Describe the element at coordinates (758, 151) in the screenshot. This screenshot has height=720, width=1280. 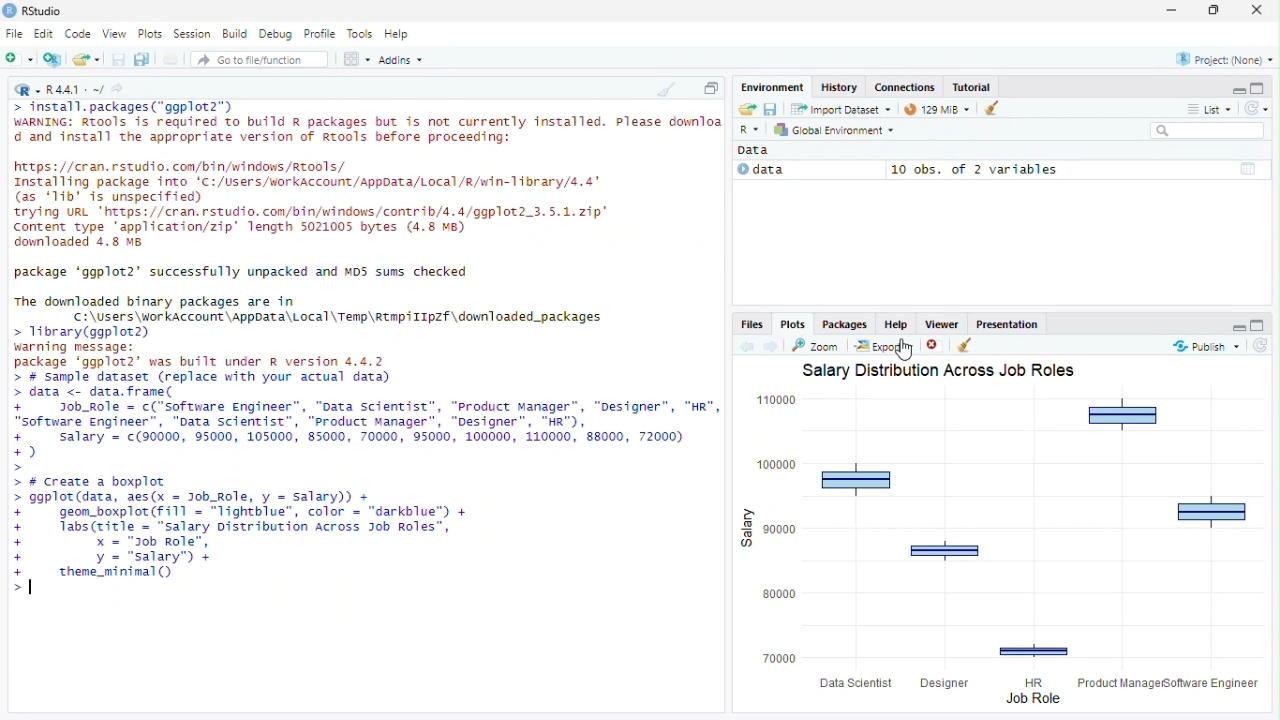
I see `Data` at that location.